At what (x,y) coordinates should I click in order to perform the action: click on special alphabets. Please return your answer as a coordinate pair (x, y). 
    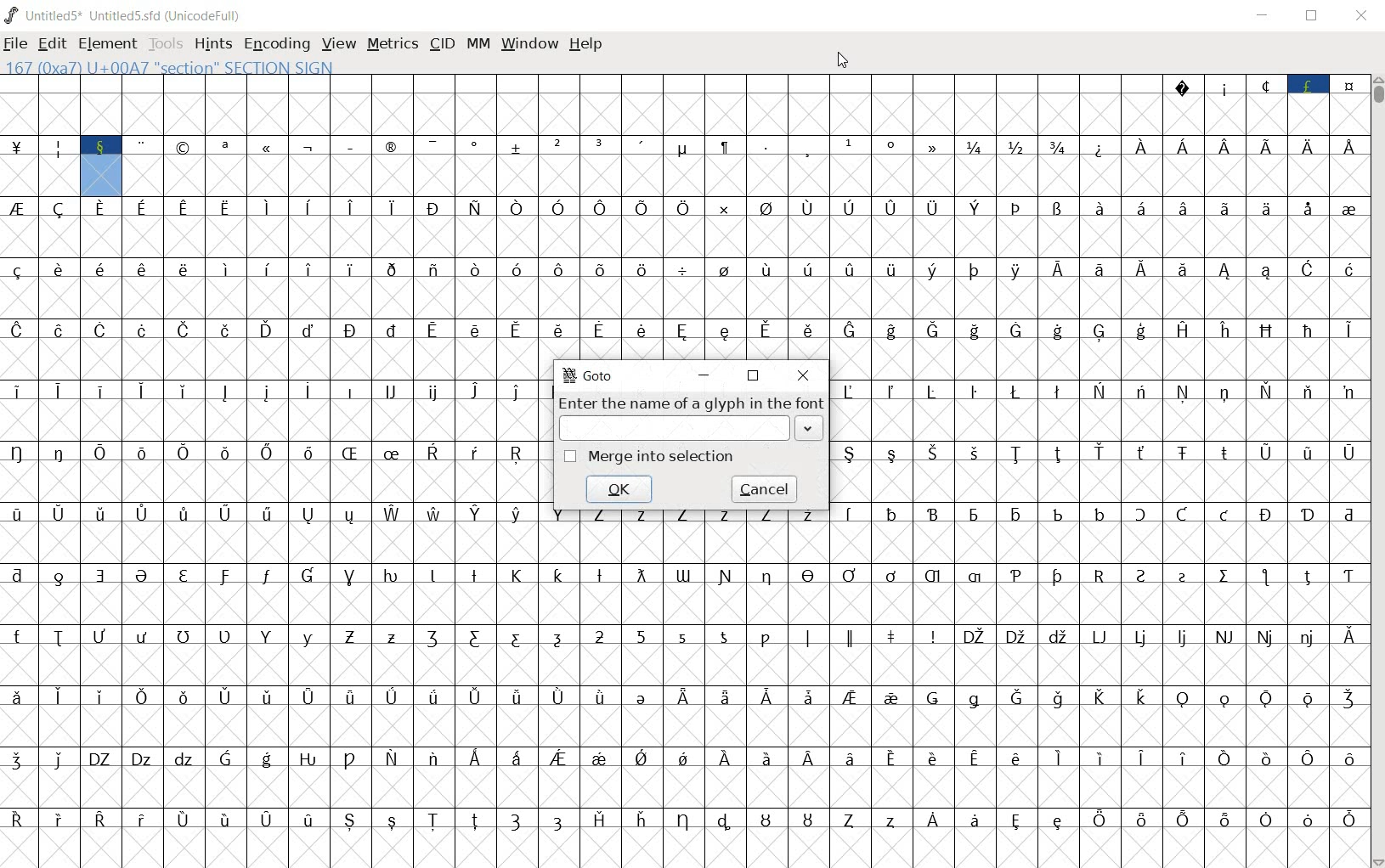
    Looking at the image, I should click on (1096, 349).